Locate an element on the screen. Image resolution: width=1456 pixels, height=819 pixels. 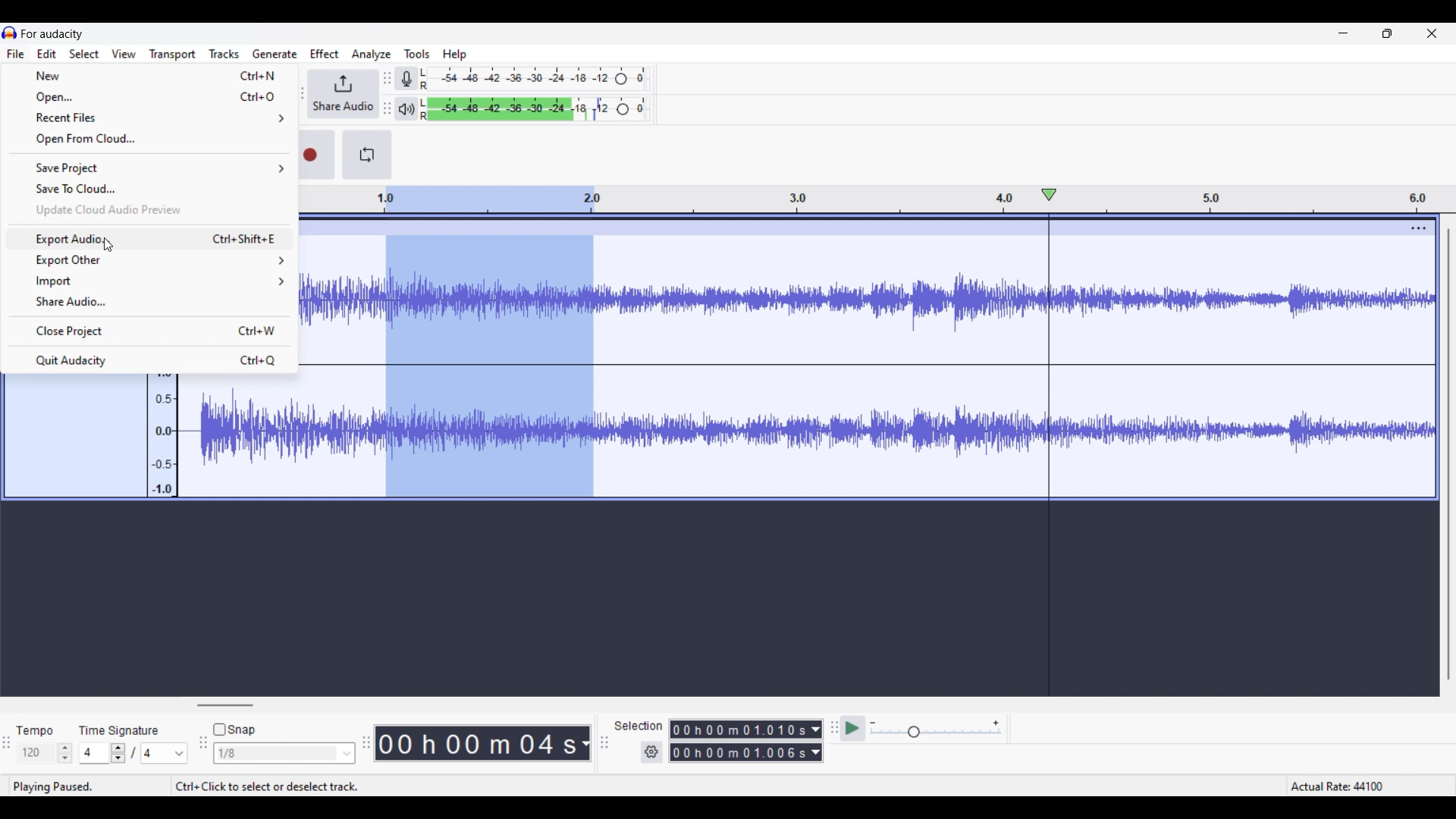
Playhead is located at coordinates (1050, 441).